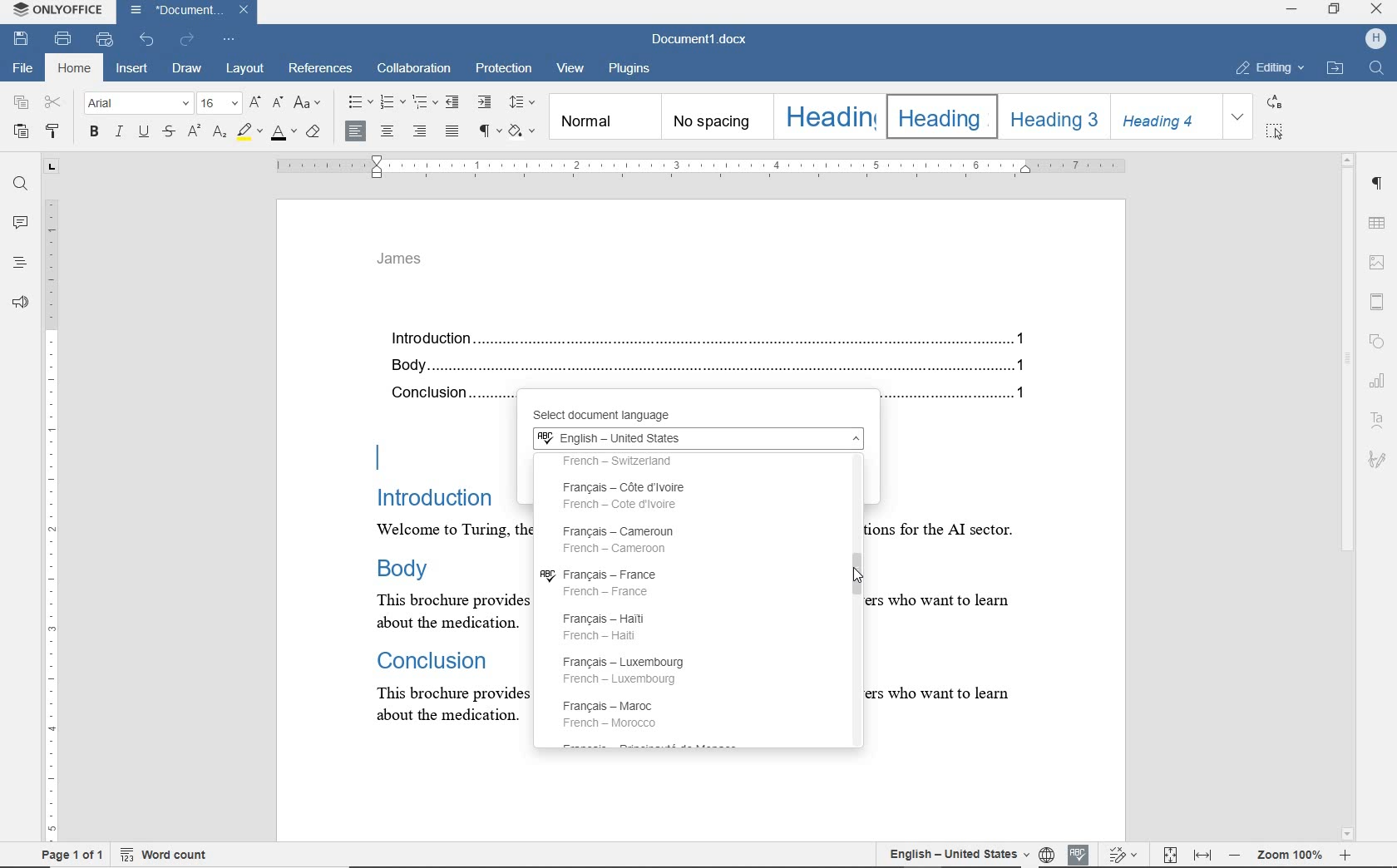 The height and width of the screenshot is (868, 1397). I want to click on François - Haiti, so click(612, 624).